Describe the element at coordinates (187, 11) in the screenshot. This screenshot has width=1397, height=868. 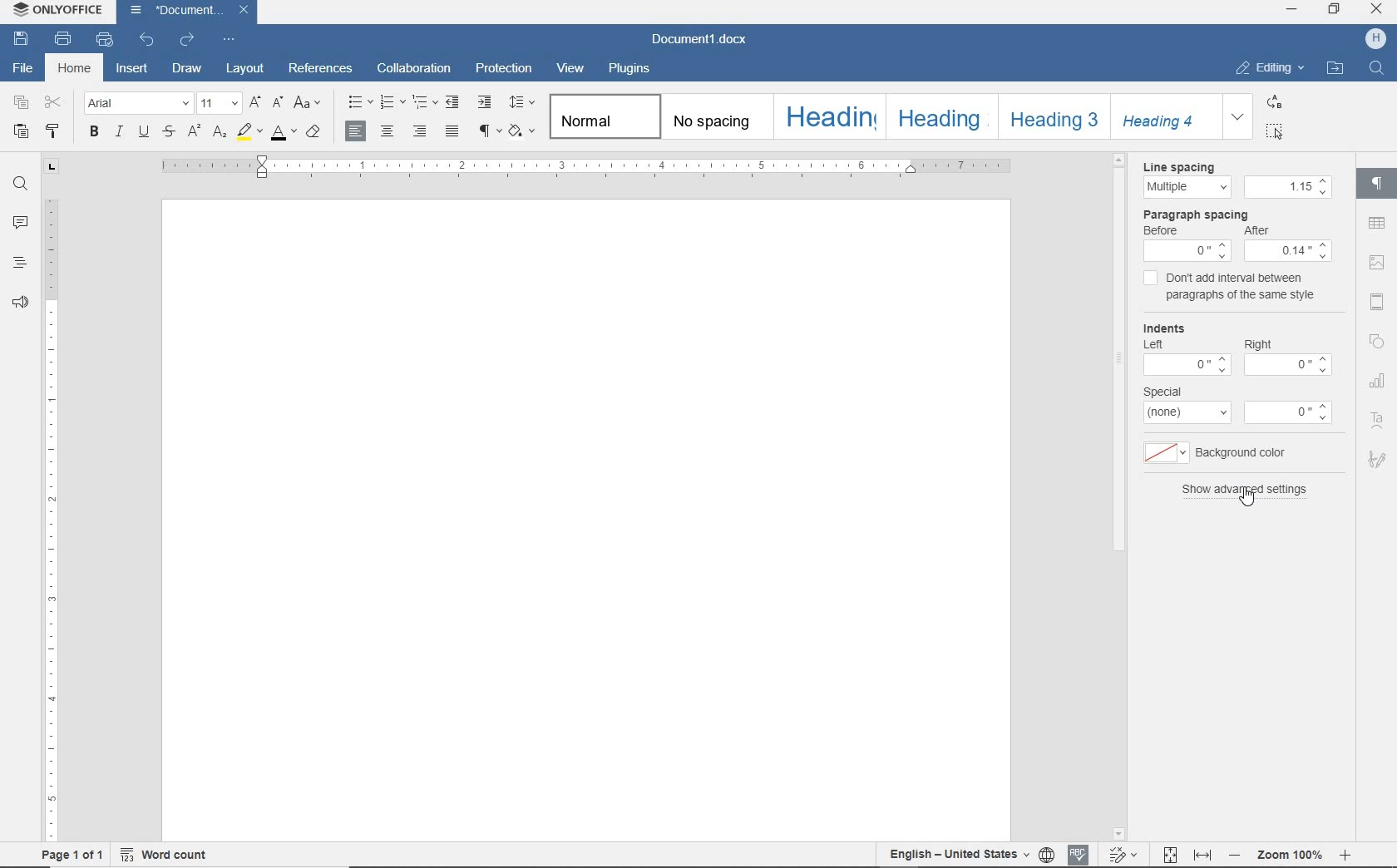
I see `Document1.docx(file name)` at that location.